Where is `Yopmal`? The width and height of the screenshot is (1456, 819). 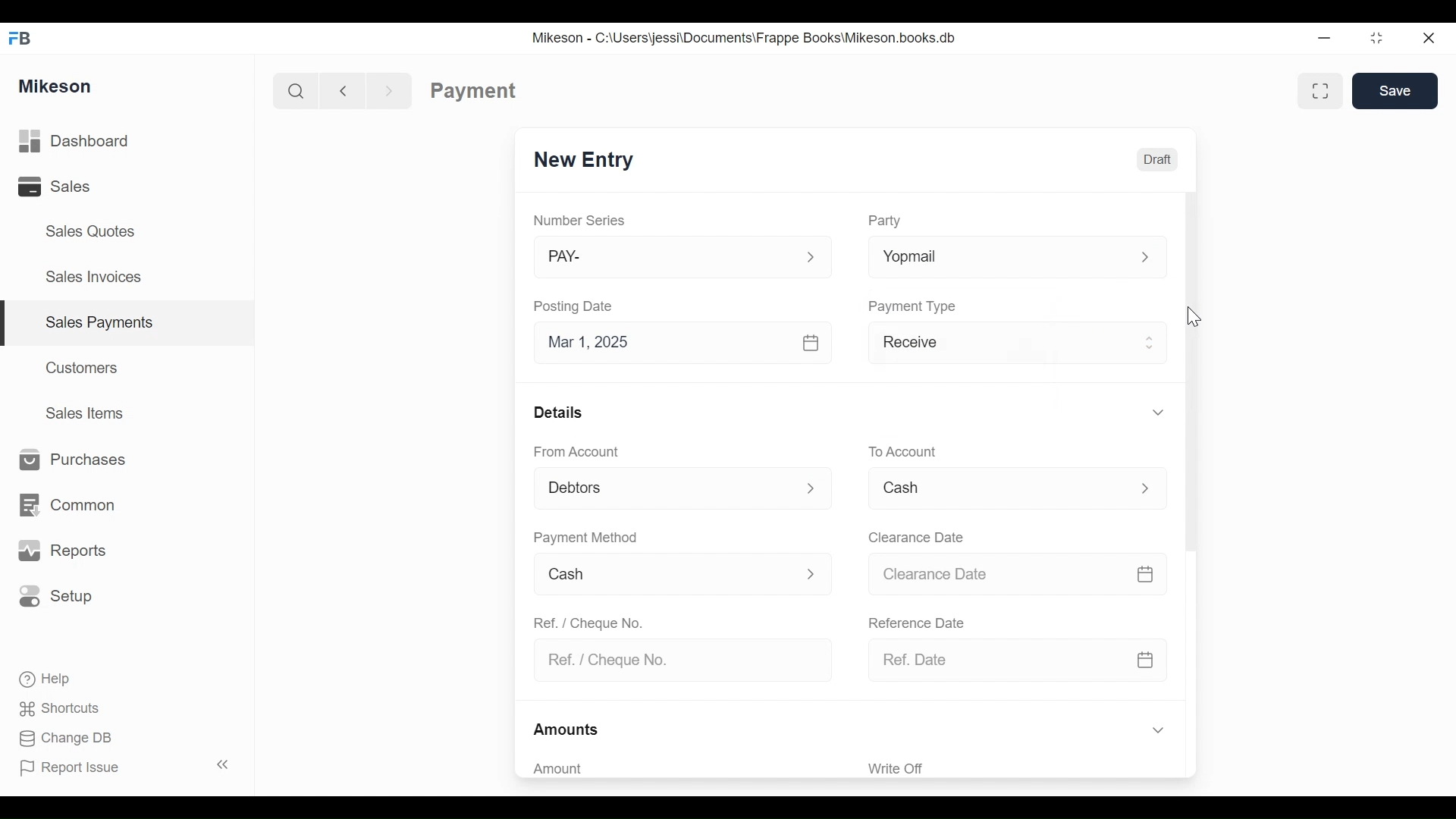 Yopmal is located at coordinates (1019, 256).